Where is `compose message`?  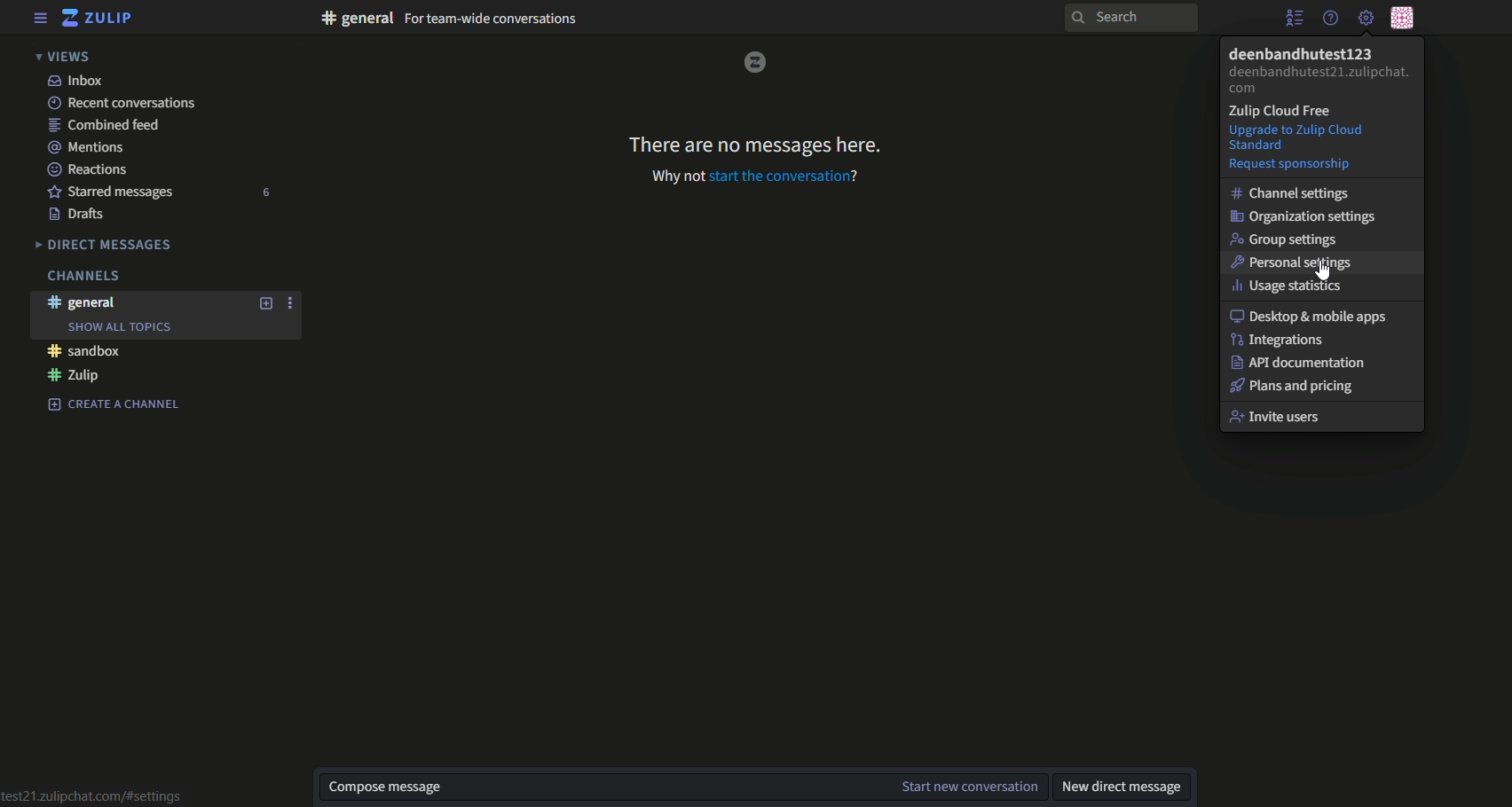 compose message is located at coordinates (602, 788).